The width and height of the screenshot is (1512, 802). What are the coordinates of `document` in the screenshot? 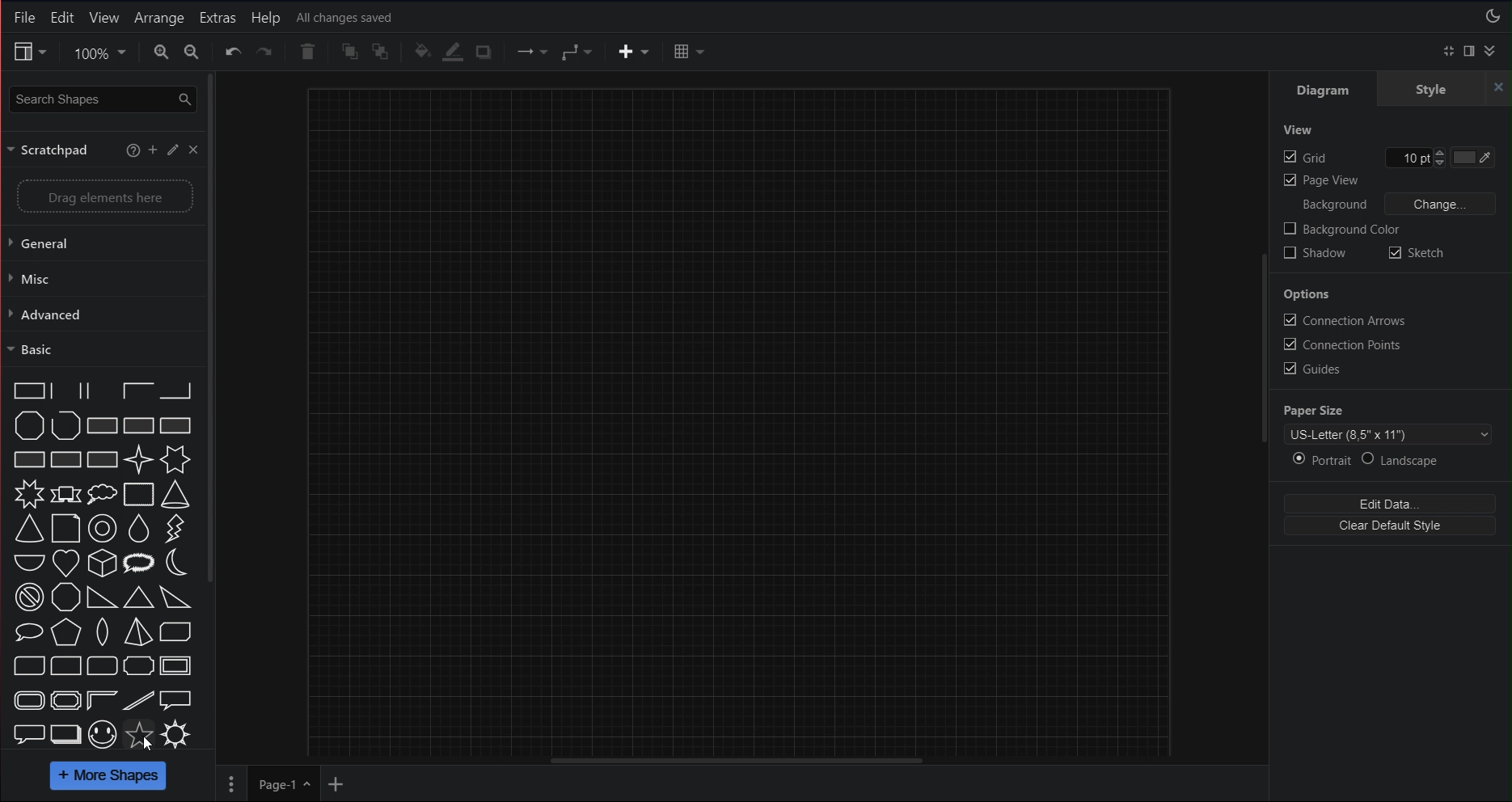 It's located at (65, 529).